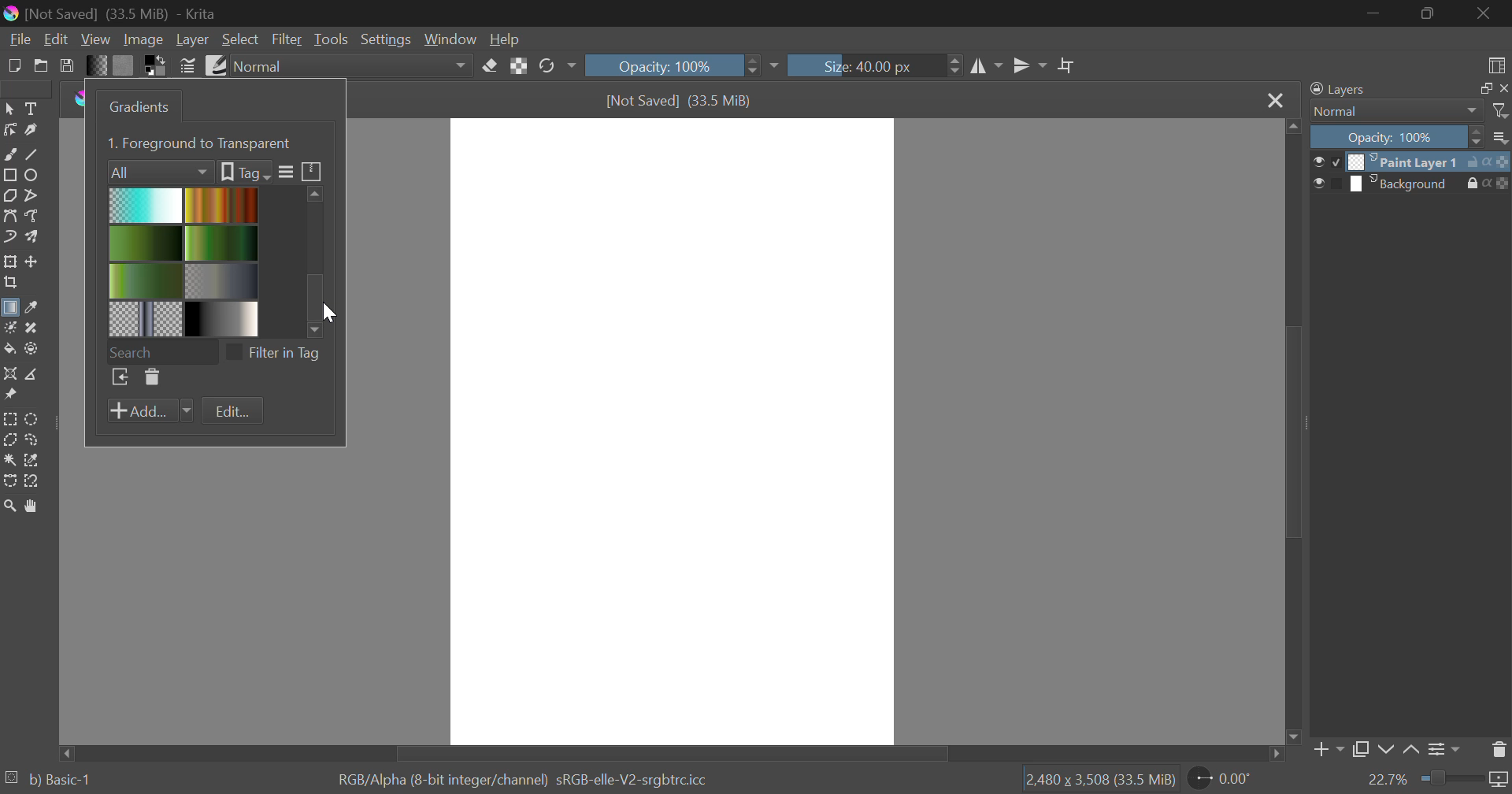  Describe the element at coordinates (219, 204) in the screenshot. I see `Gradient 2` at that location.